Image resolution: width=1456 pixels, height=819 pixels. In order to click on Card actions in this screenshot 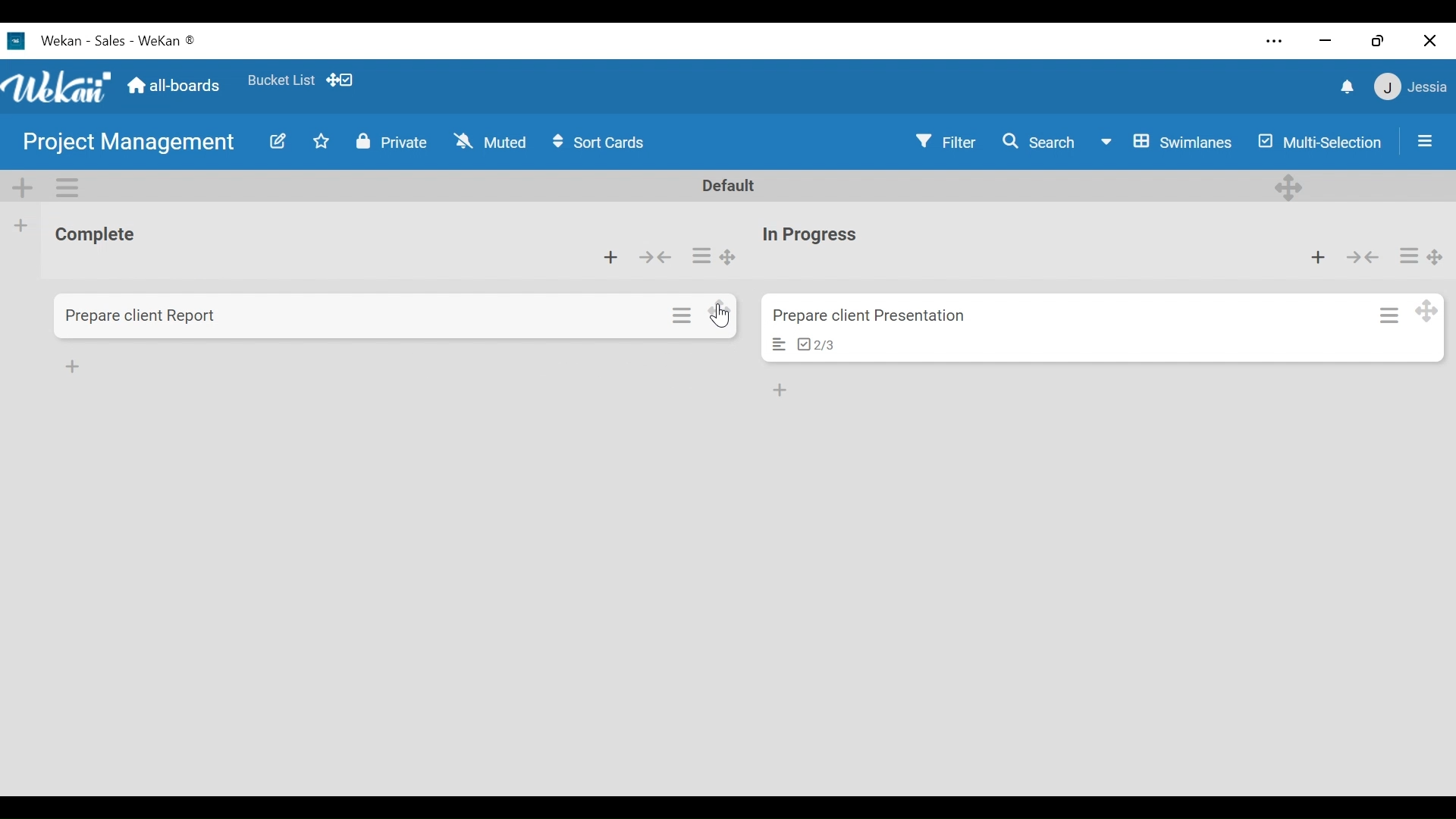, I will do `click(1405, 254)`.